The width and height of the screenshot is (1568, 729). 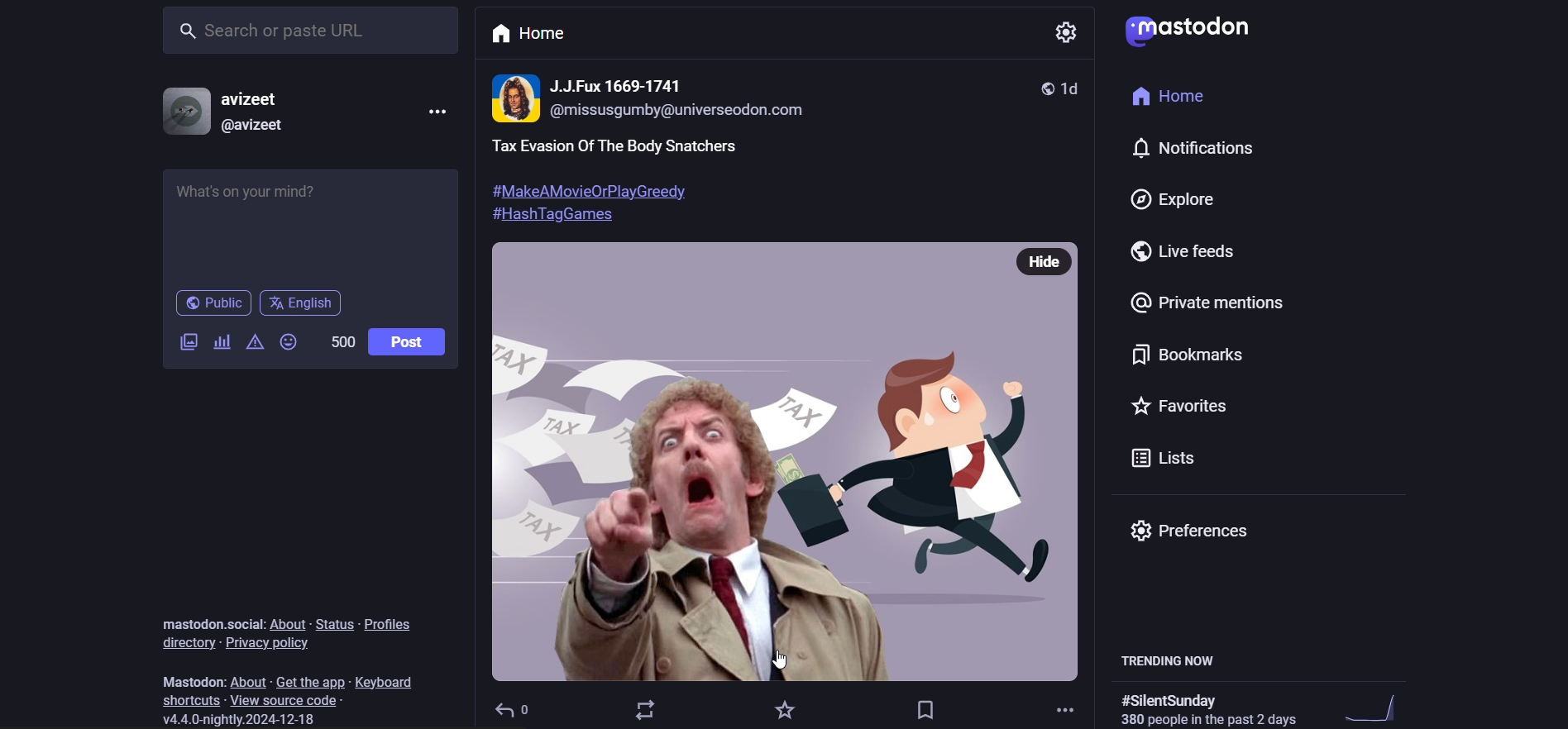 I want to click on image/video, so click(x=189, y=342).